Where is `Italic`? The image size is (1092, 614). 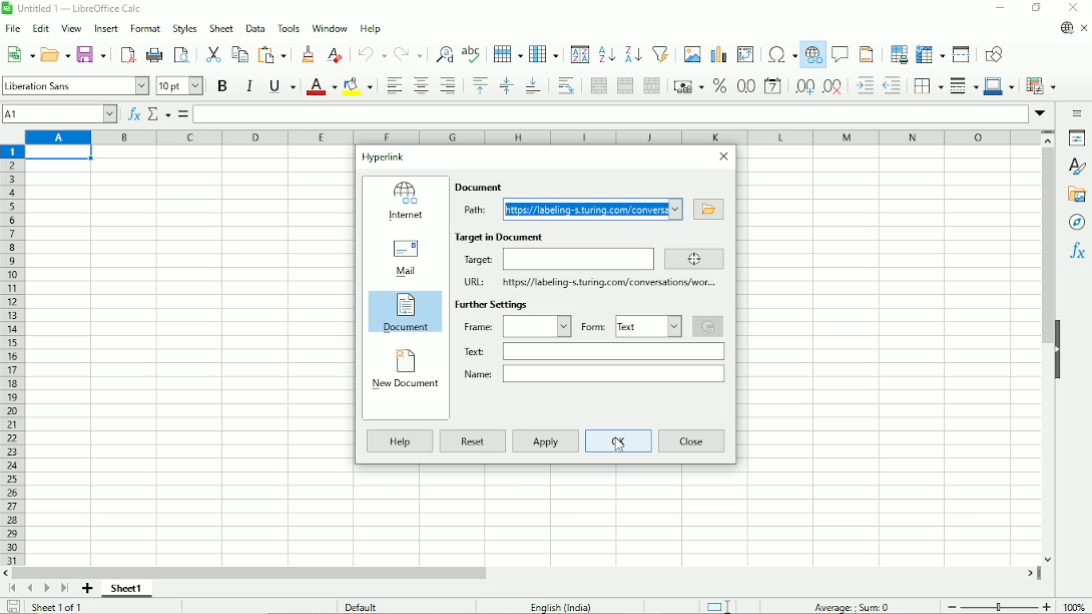
Italic is located at coordinates (250, 86).